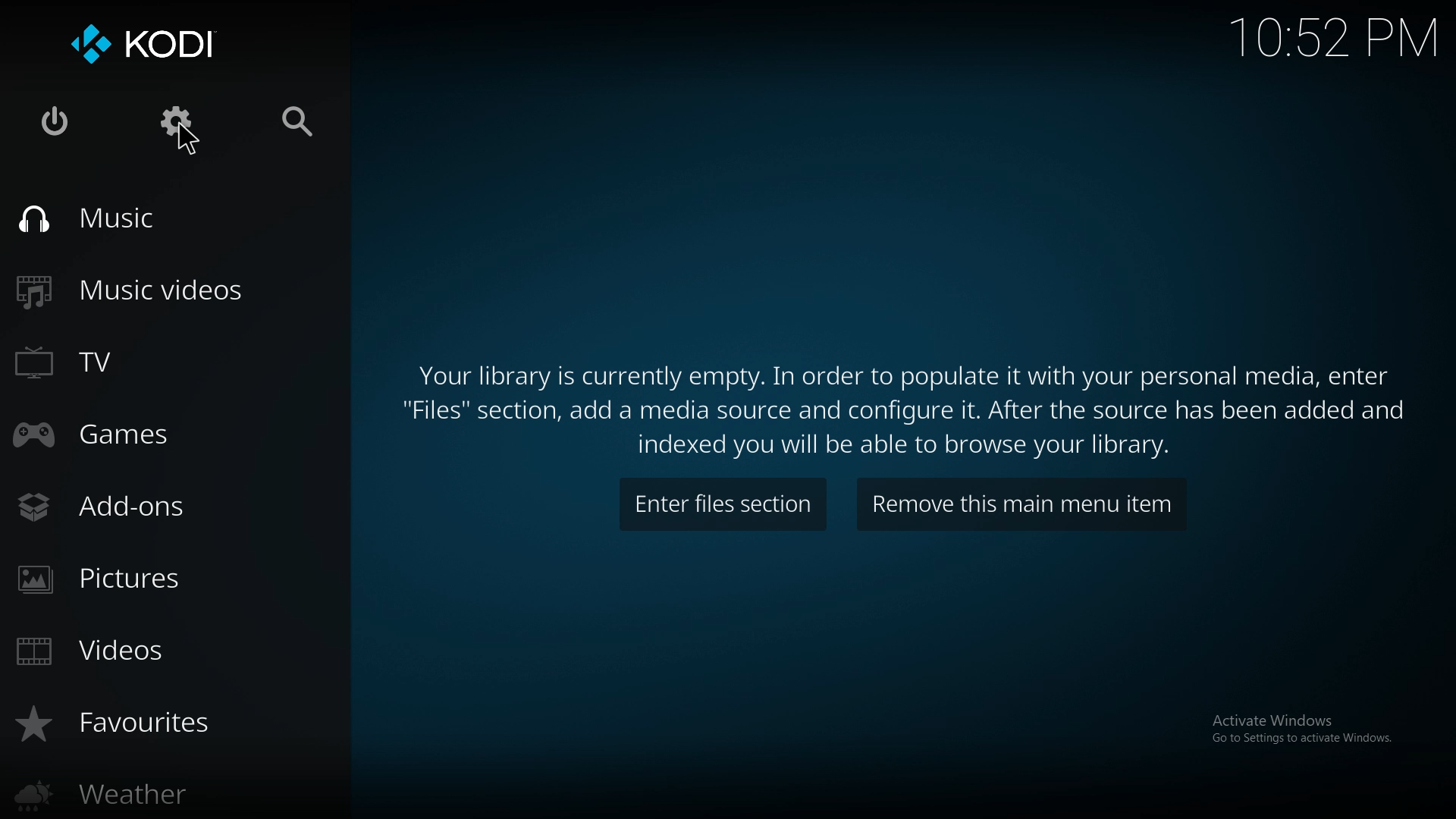 This screenshot has height=819, width=1456. I want to click on remove item, so click(1021, 507).